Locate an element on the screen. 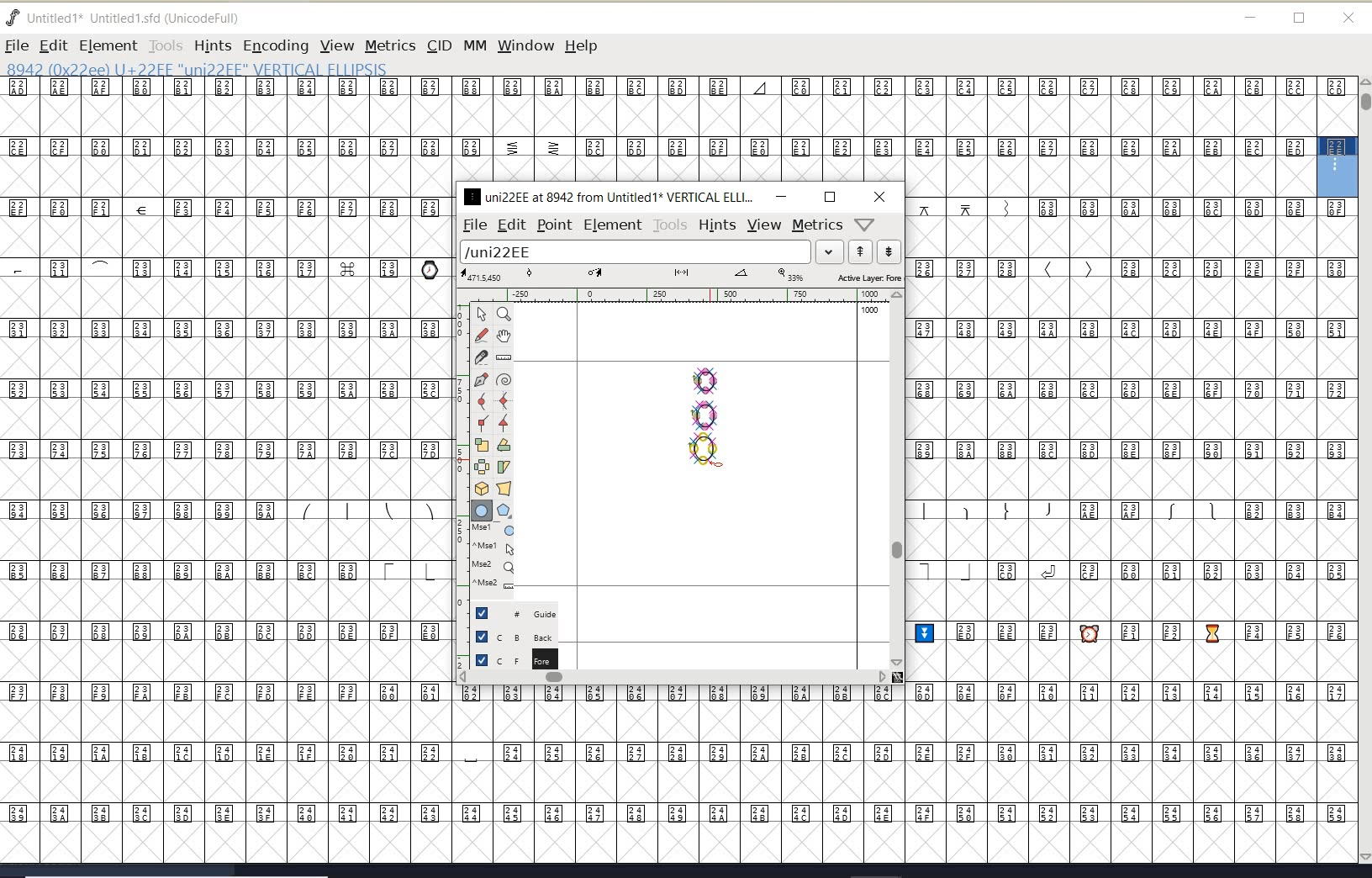 This screenshot has width=1372, height=878. METRICS is located at coordinates (390, 45).